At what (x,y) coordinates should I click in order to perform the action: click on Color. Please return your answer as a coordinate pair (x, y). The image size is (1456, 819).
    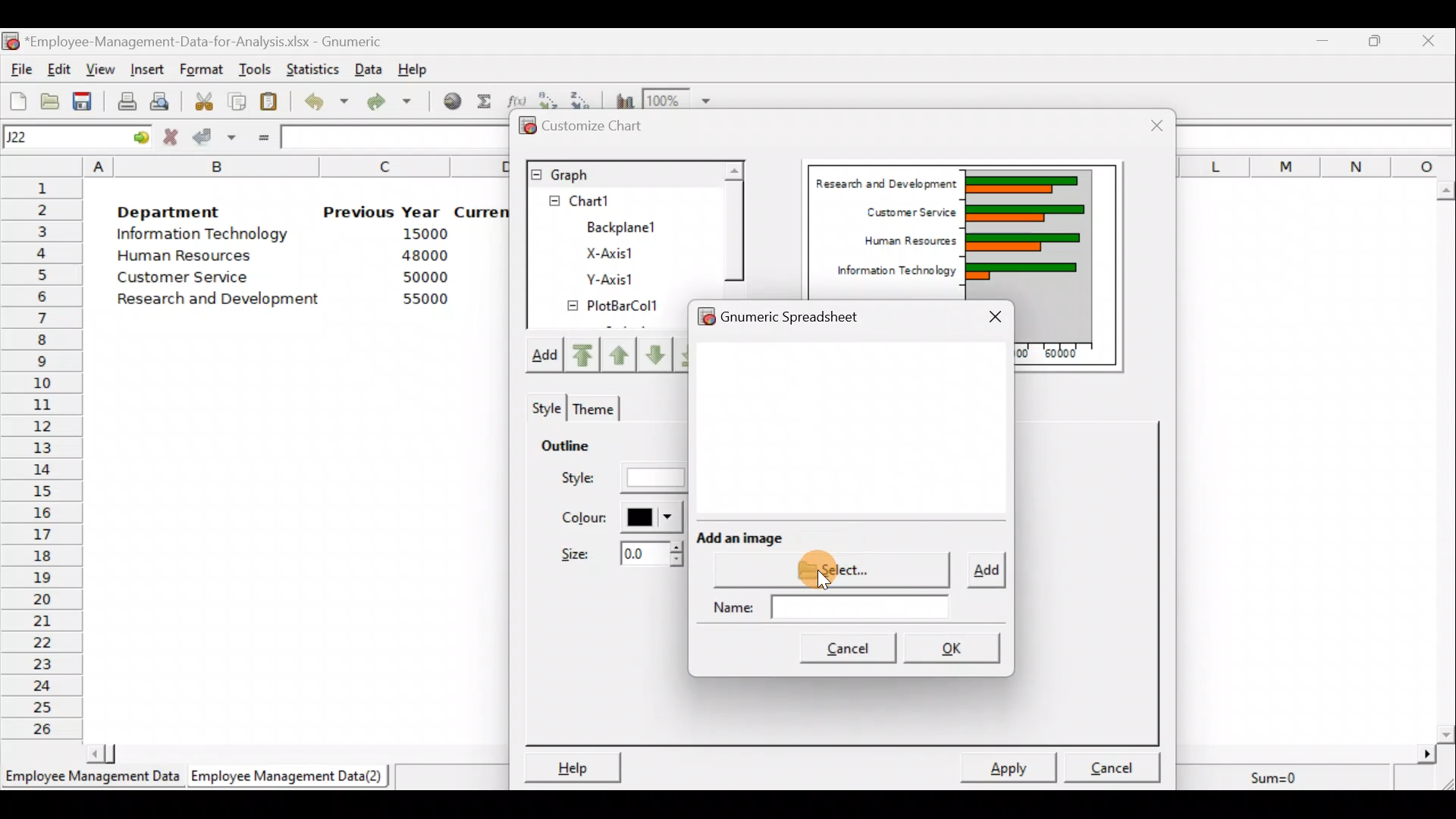
    Looking at the image, I should click on (623, 518).